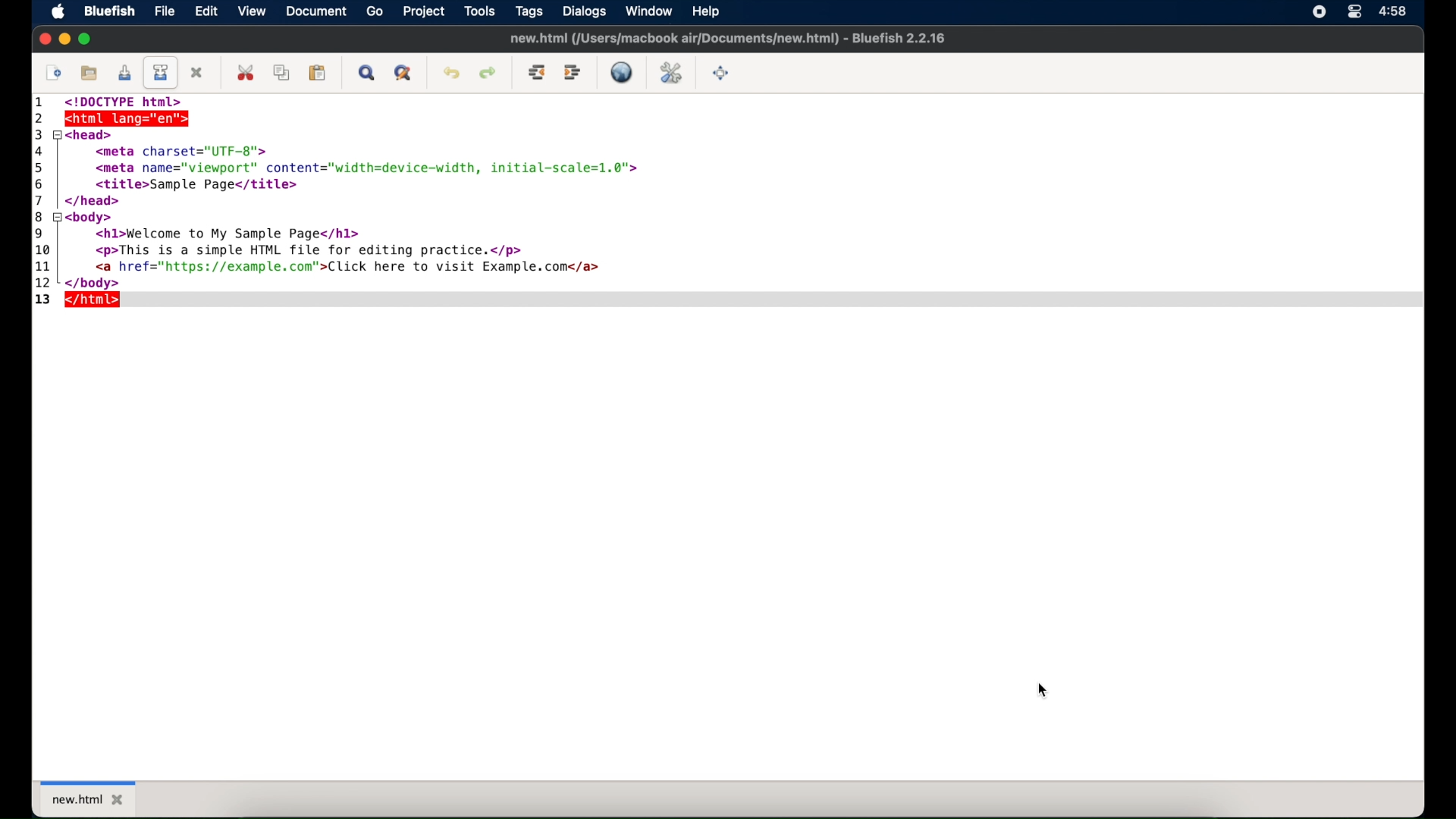 This screenshot has height=819, width=1456. I want to click on <!Doctype html>, so click(127, 102).